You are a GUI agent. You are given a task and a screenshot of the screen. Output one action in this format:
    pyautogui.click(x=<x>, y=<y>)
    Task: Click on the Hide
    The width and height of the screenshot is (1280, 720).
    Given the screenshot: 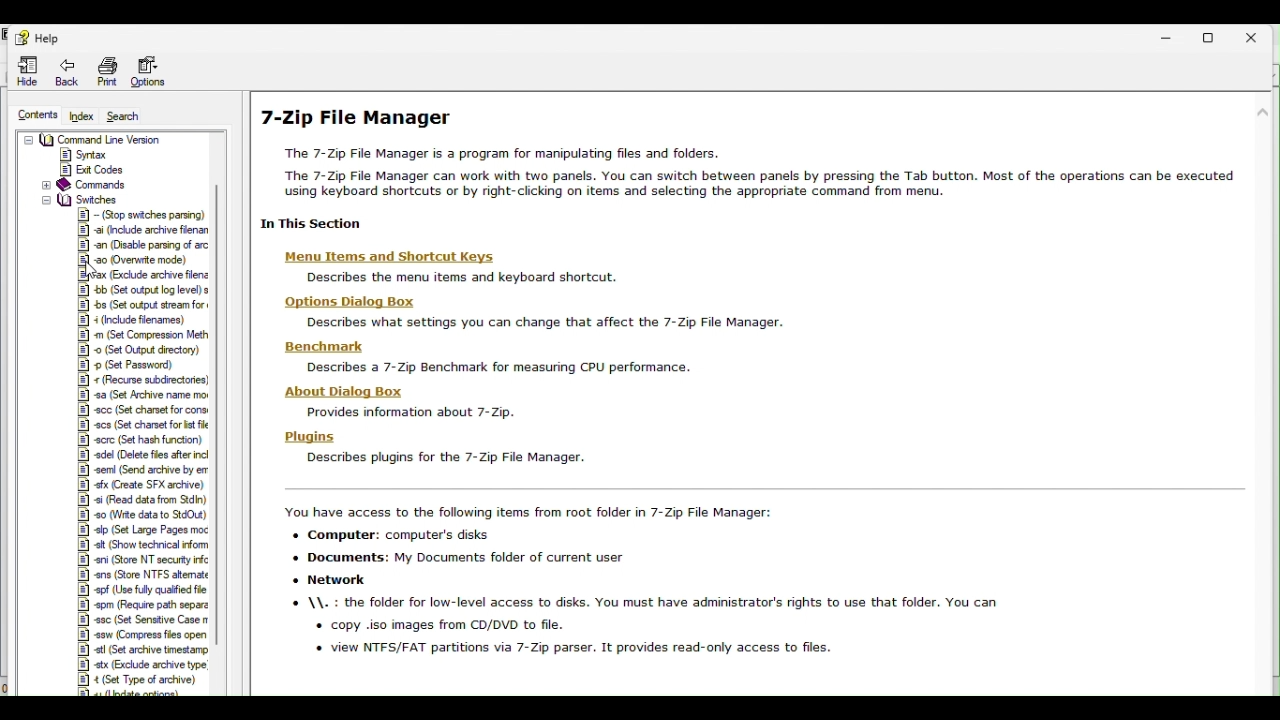 What is the action you would take?
    pyautogui.click(x=29, y=70)
    